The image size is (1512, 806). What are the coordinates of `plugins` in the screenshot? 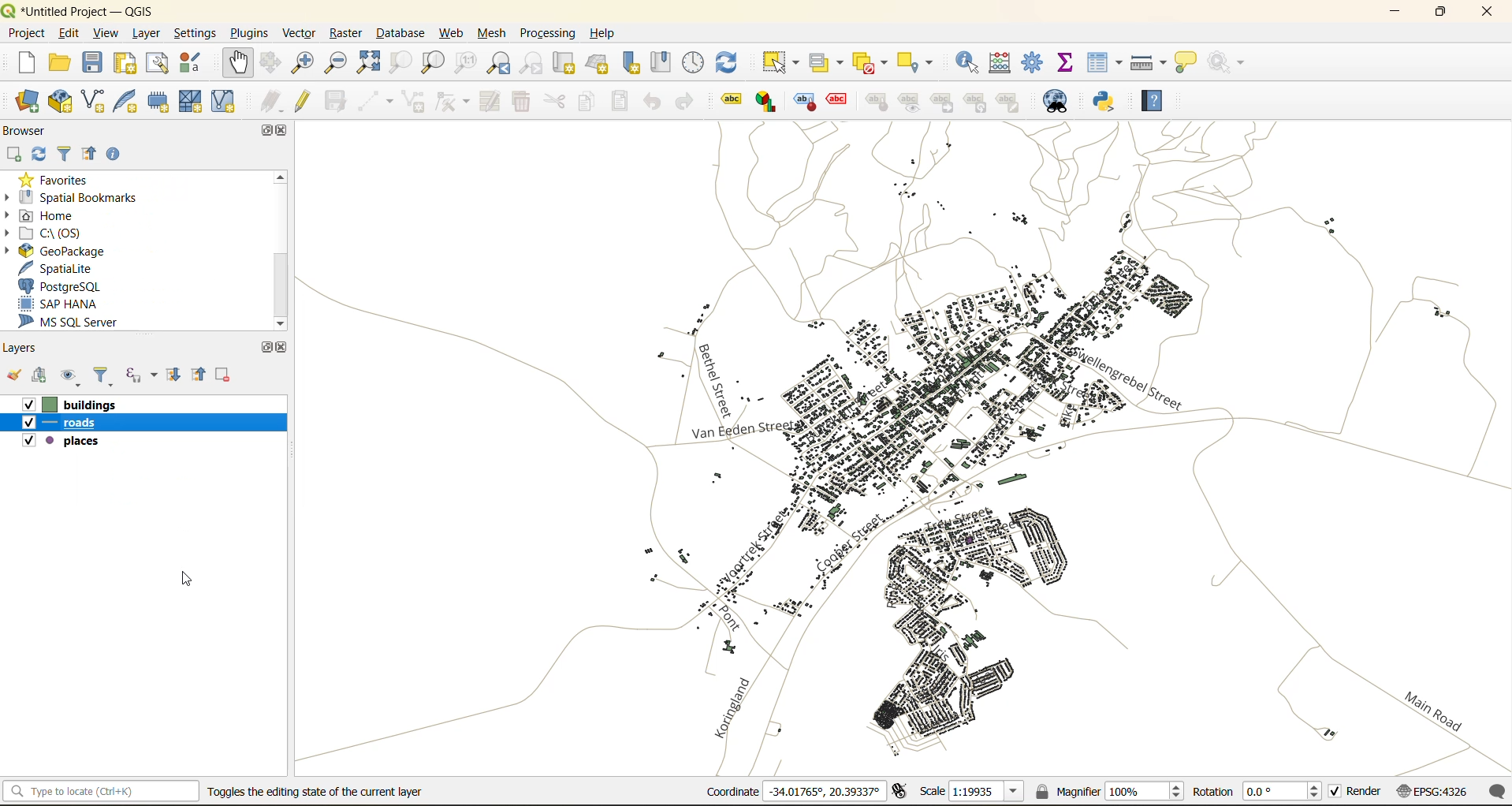 It's located at (251, 33).